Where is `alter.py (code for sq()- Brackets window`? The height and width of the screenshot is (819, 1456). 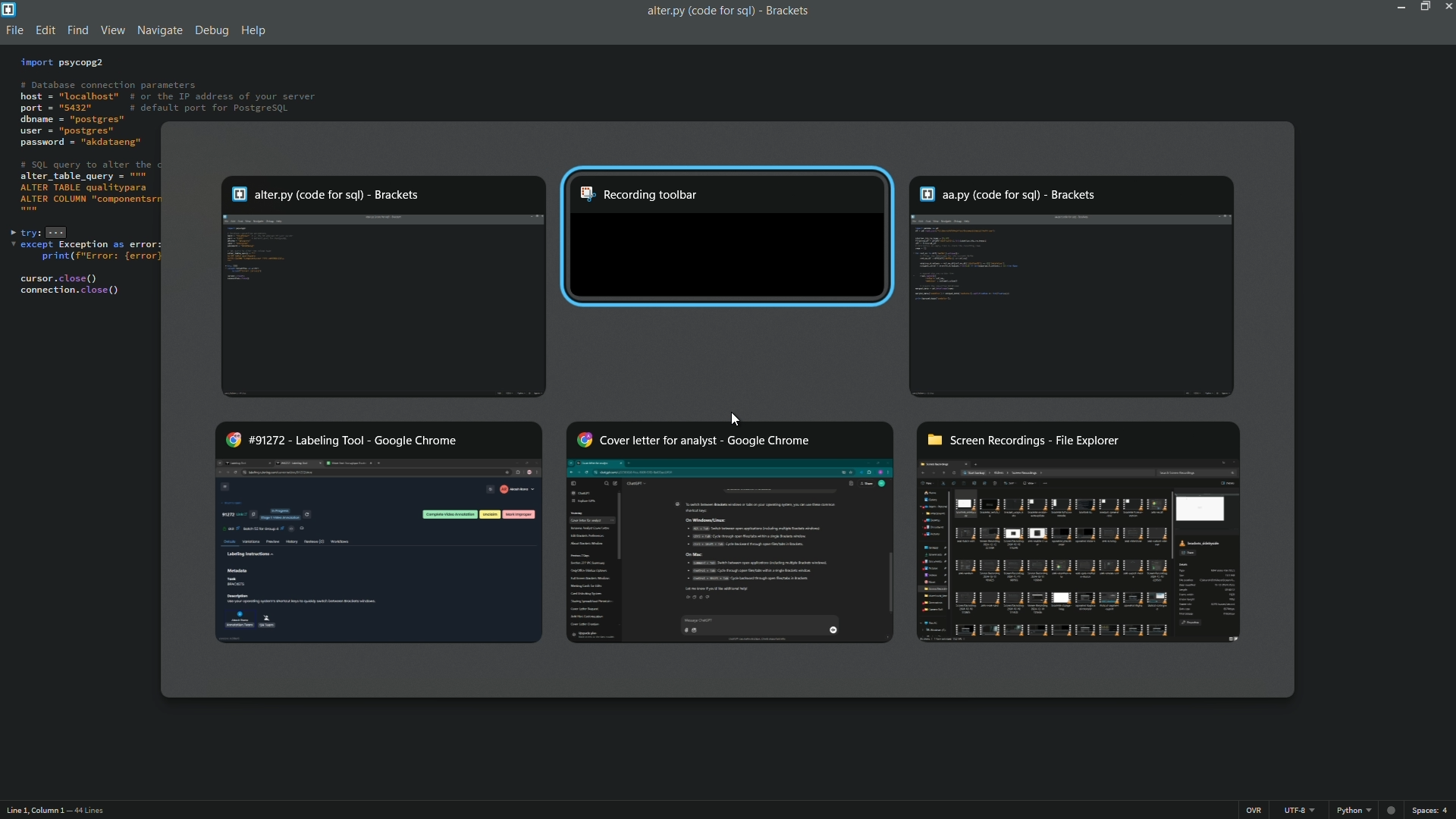
alter.py (code for sq()- Brackets window is located at coordinates (384, 286).